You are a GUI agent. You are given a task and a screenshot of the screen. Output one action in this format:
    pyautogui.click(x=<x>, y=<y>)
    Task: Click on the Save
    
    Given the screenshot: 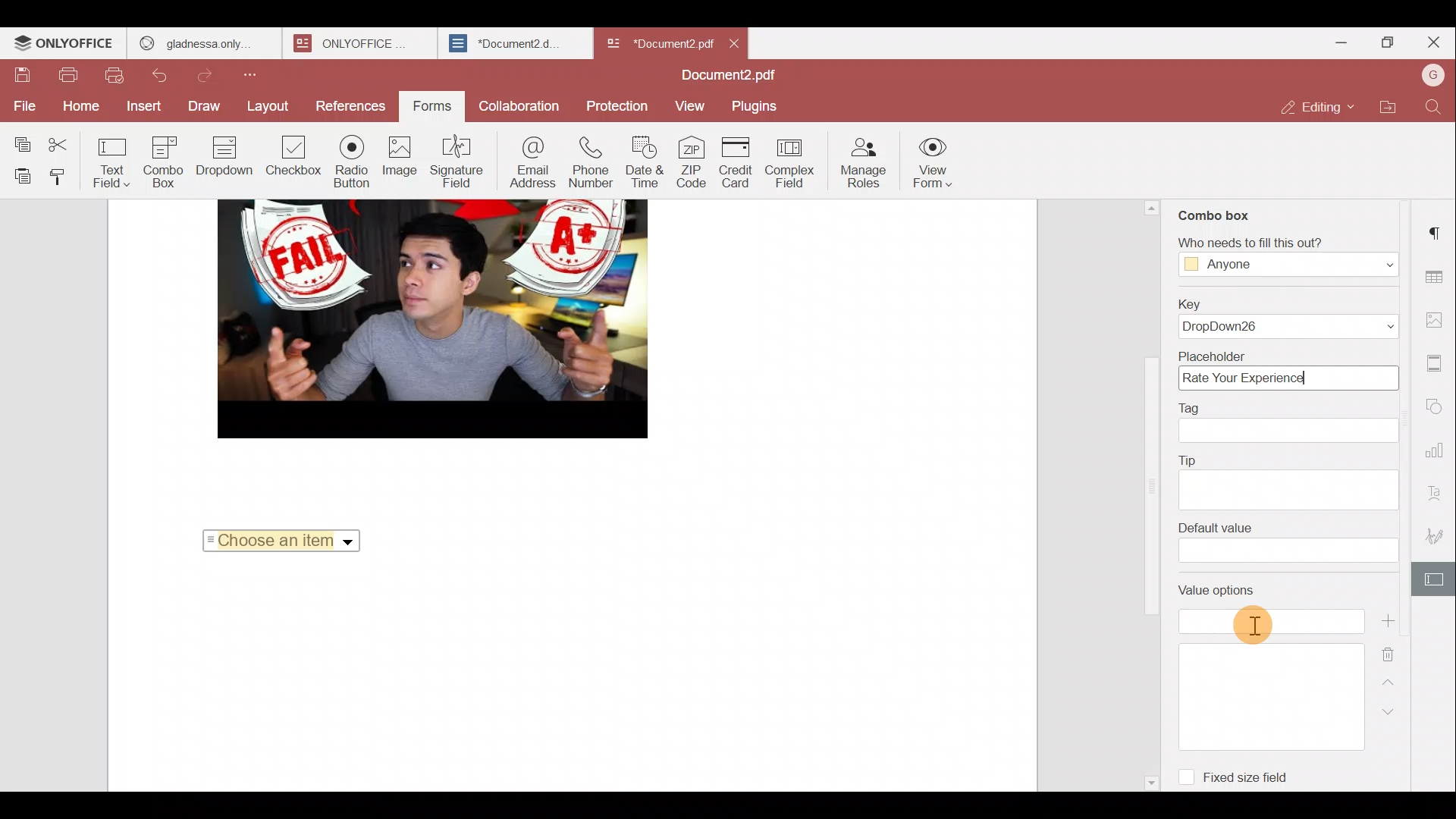 What is the action you would take?
    pyautogui.click(x=23, y=76)
    